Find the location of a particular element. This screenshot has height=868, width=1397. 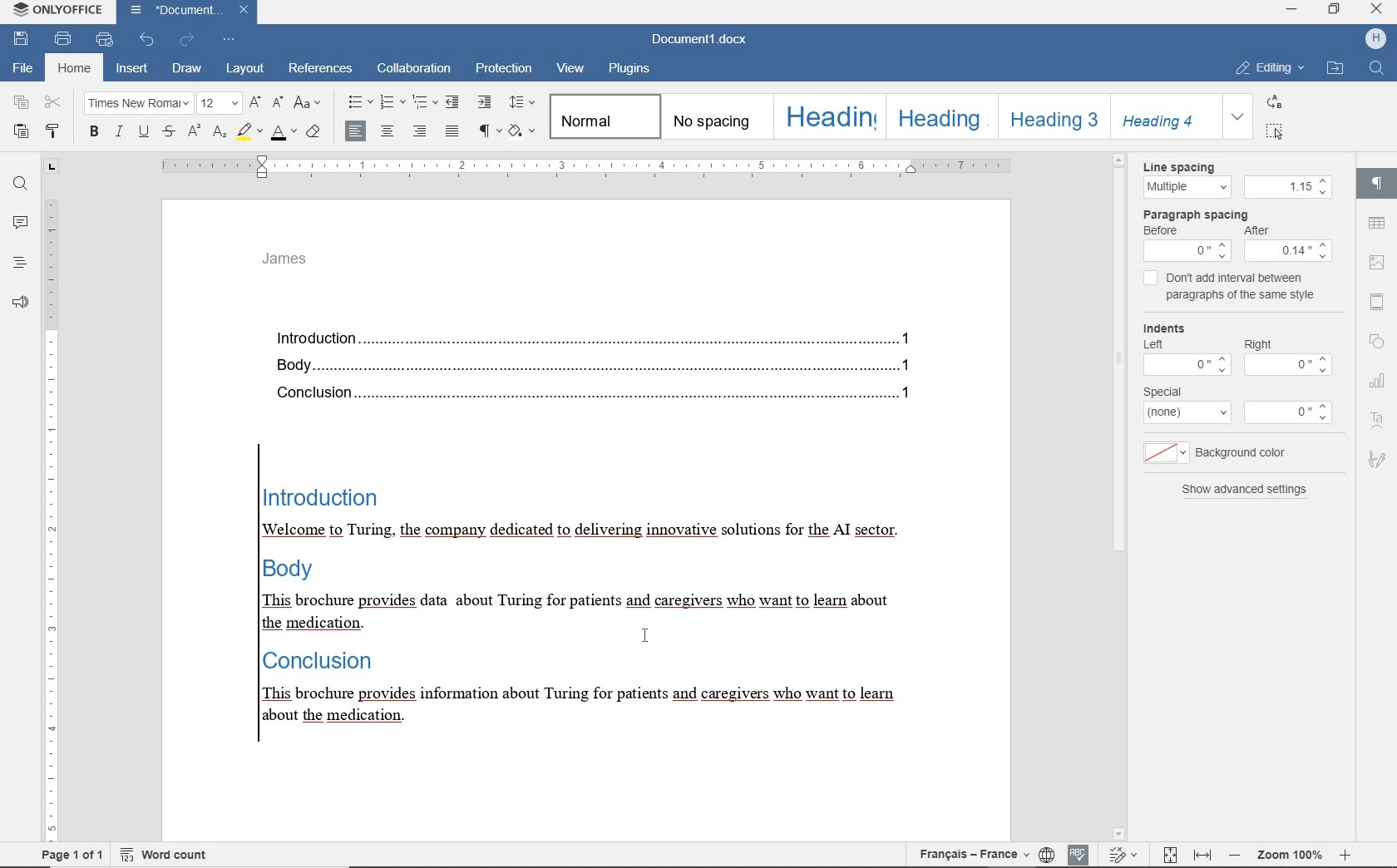

introduction is located at coordinates (605, 338).